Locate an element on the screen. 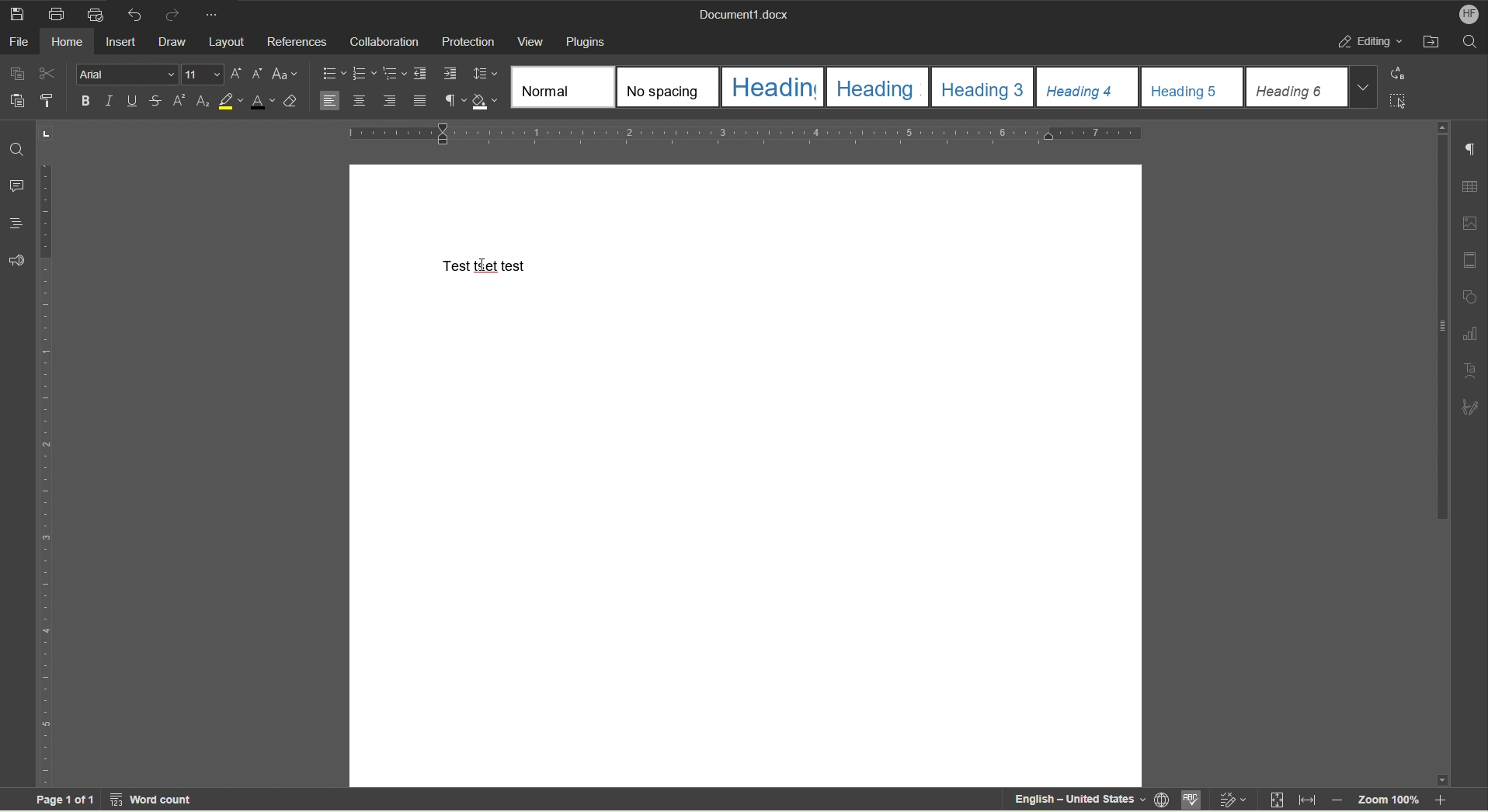 The height and width of the screenshot is (812, 1488). Insert is located at coordinates (123, 41).